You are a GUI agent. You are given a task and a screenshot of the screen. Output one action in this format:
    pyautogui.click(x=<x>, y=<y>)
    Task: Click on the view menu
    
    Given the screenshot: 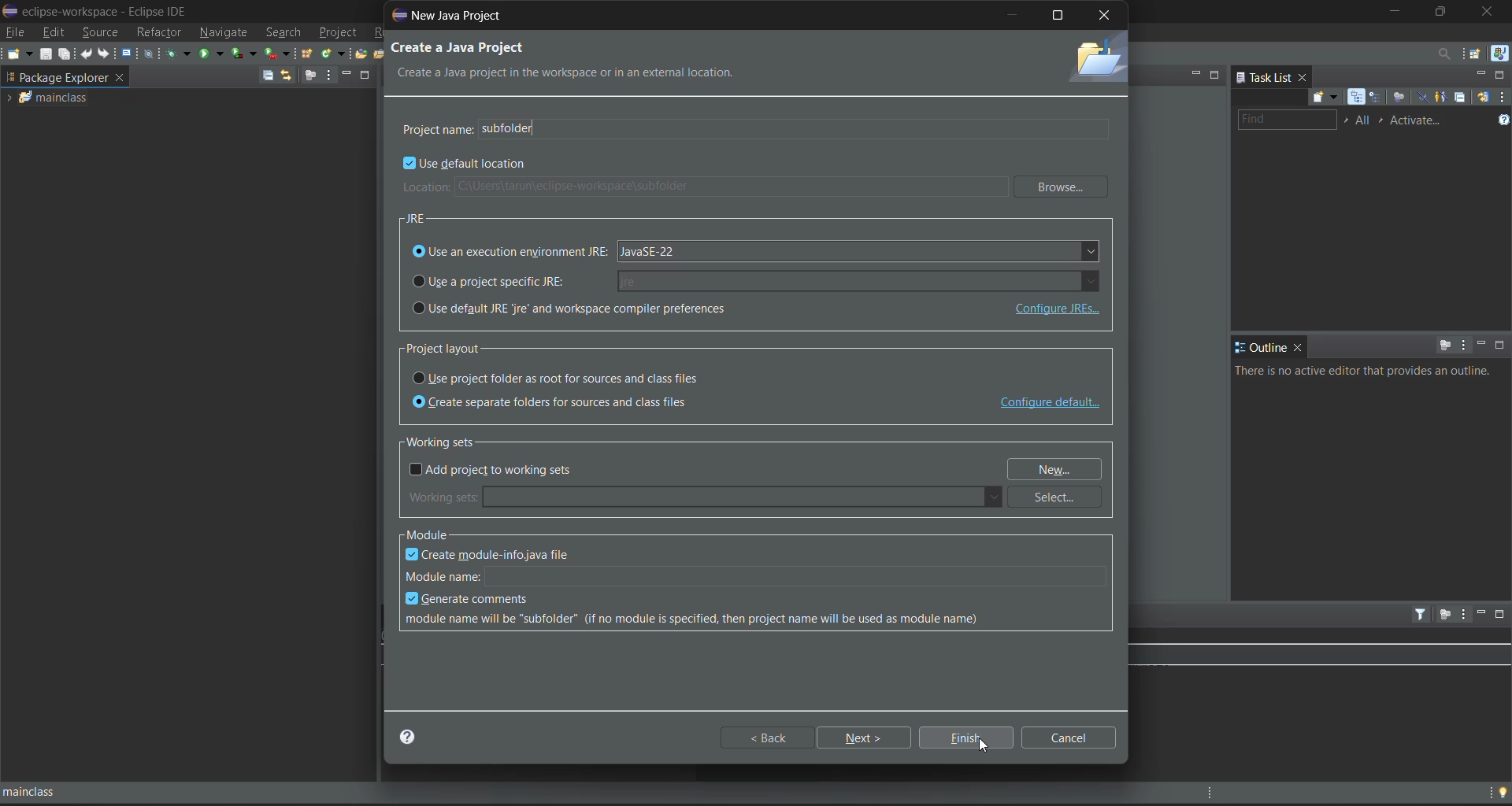 What is the action you would take?
    pyautogui.click(x=328, y=76)
    